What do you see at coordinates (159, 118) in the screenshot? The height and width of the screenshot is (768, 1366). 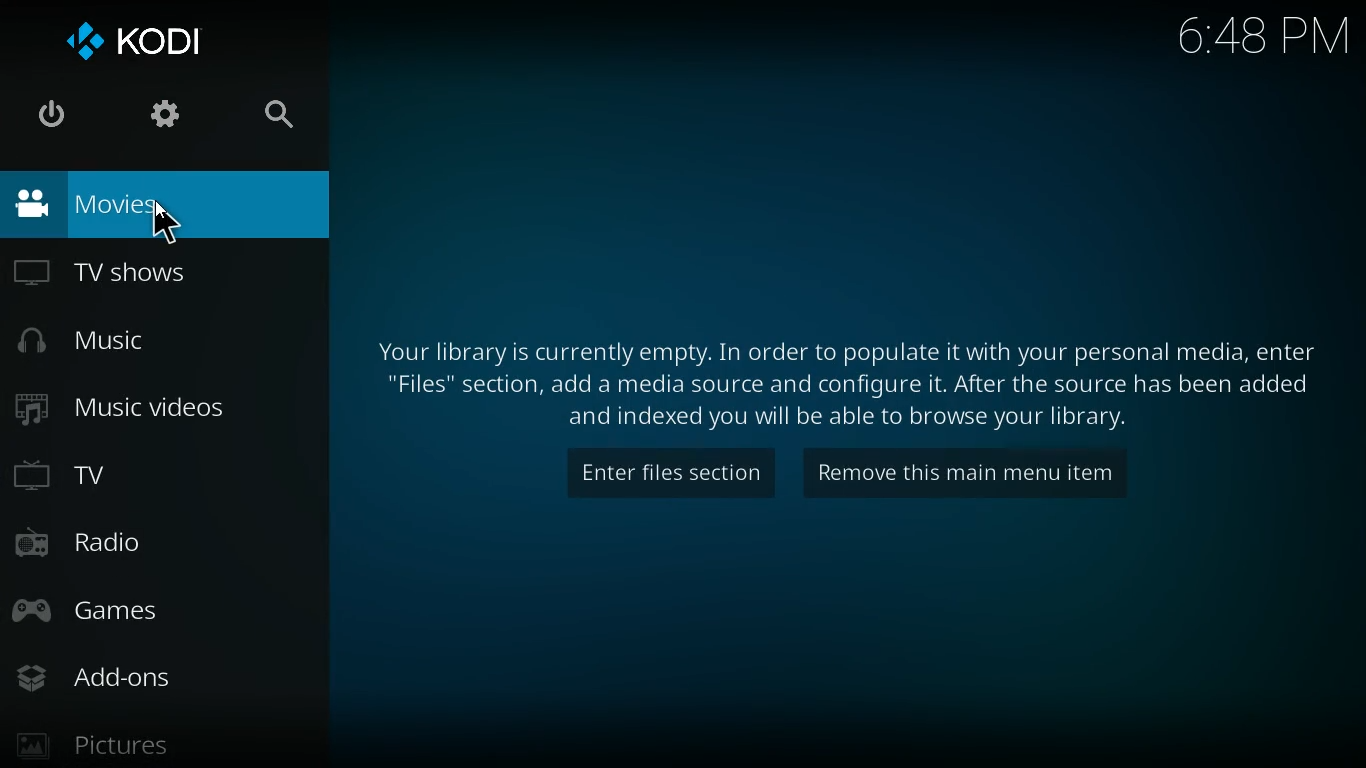 I see `settings` at bounding box center [159, 118].